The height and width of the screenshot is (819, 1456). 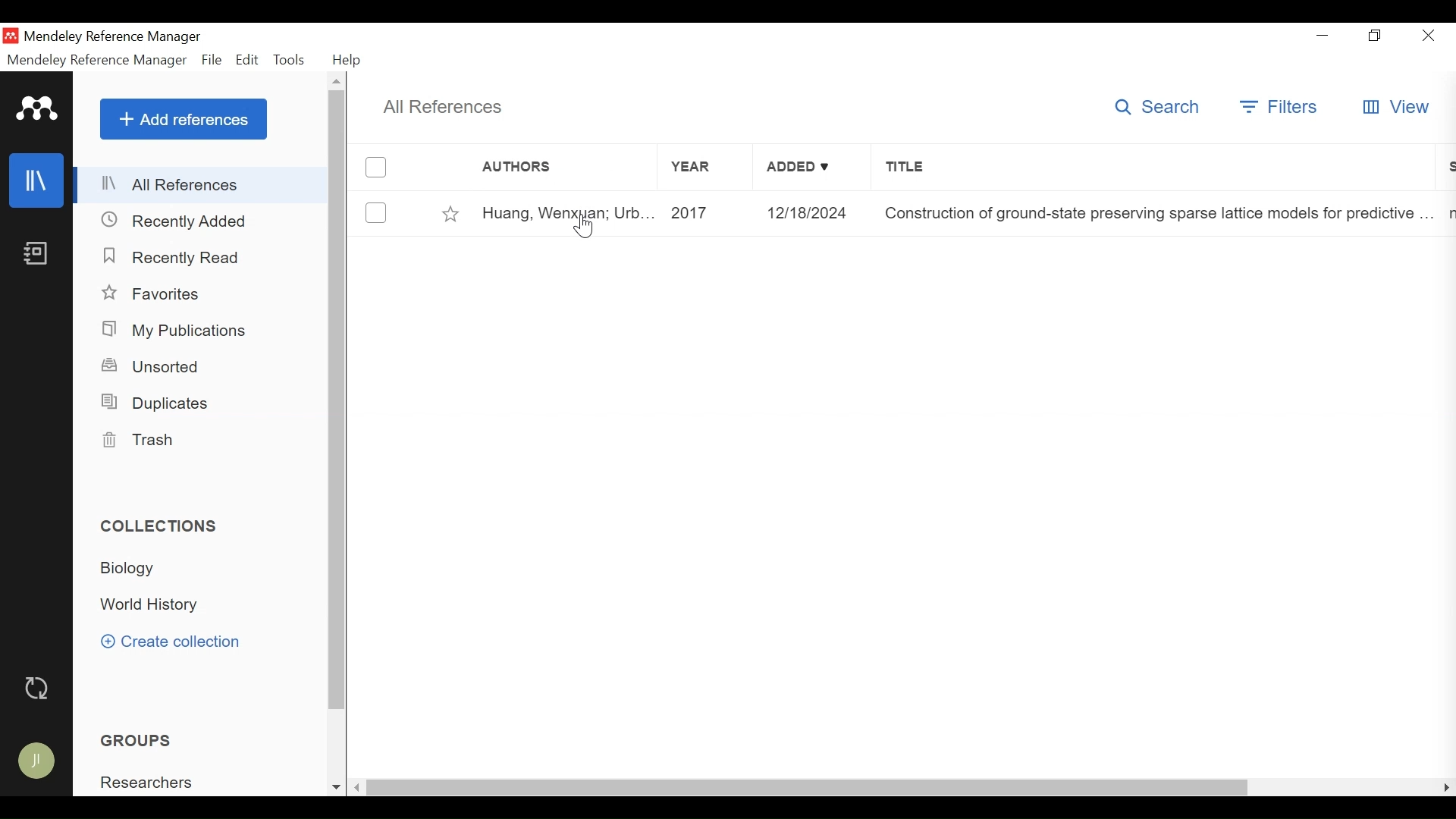 I want to click on Mendeley Reference Manager, so click(x=118, y=37).